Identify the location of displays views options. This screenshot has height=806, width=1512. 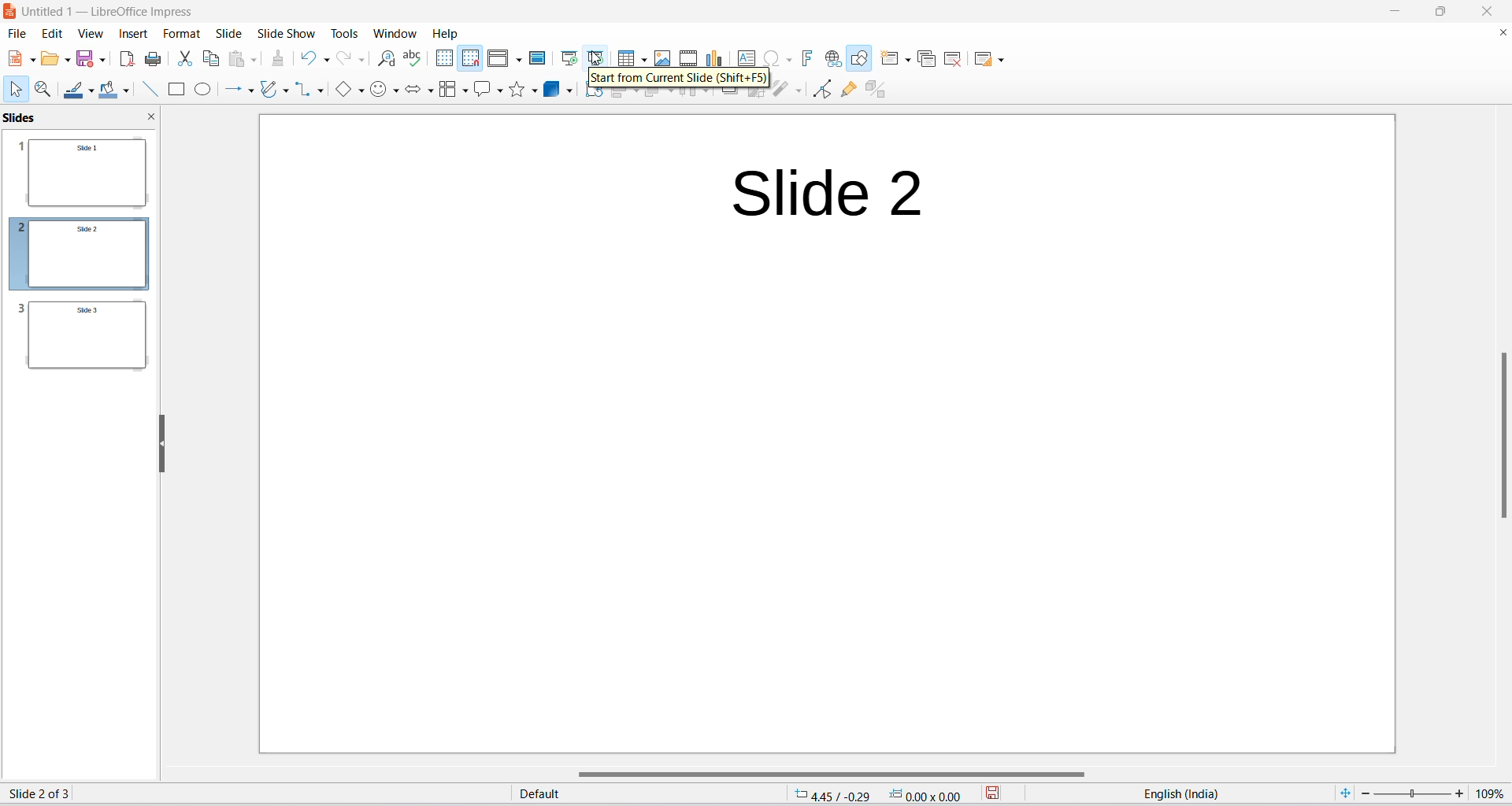
(518, 59).